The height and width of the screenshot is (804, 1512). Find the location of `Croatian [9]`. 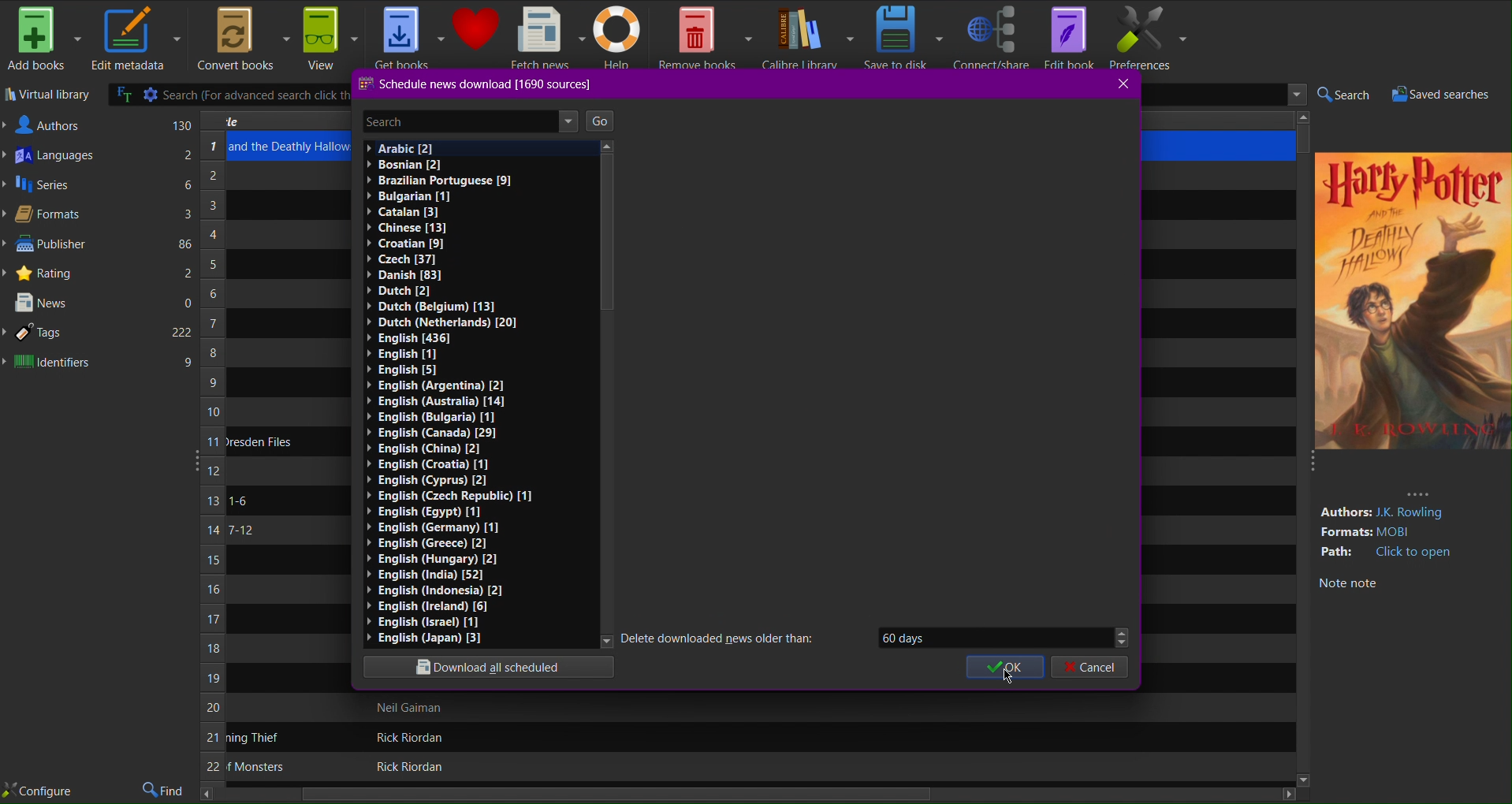

Croatian [9] is located at coordinates (412, 243).